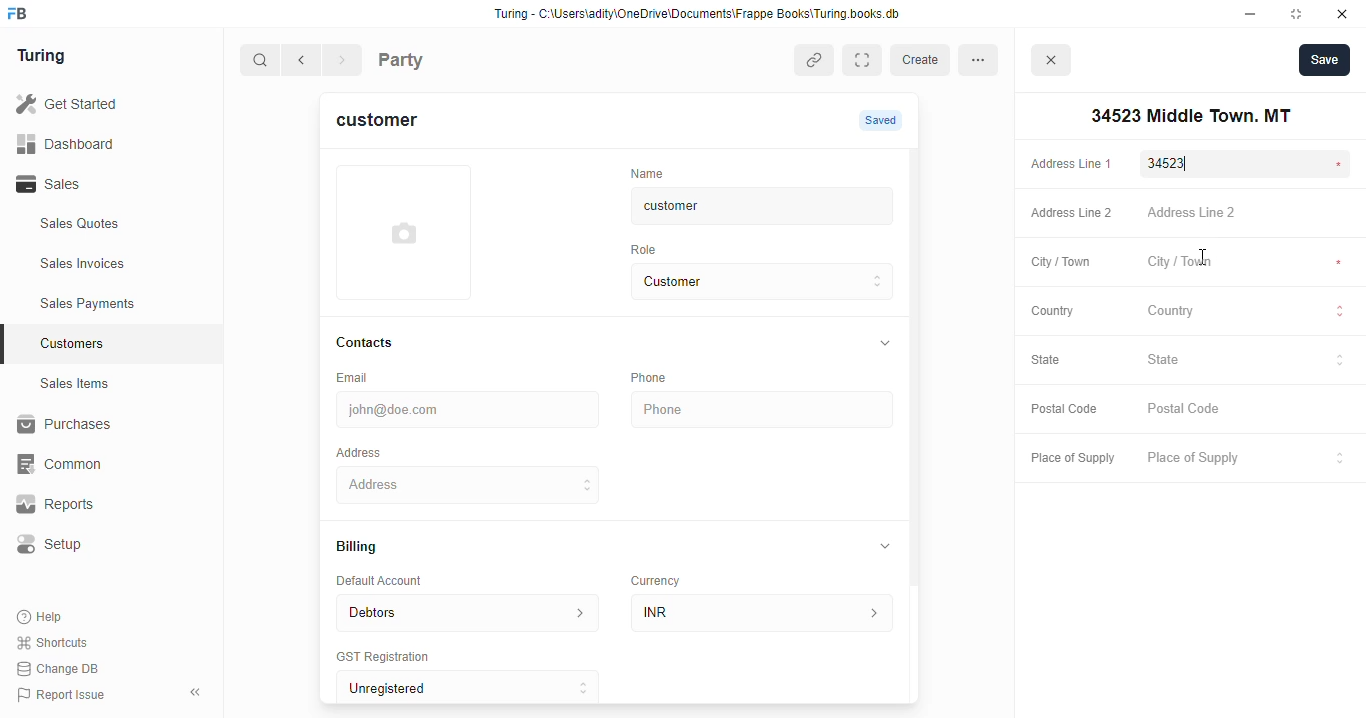 The image size is (1366, 718). What do you see at coordinates (1056, 361) in the screenshot?
I see `State` at bounding box center [1056, 361].